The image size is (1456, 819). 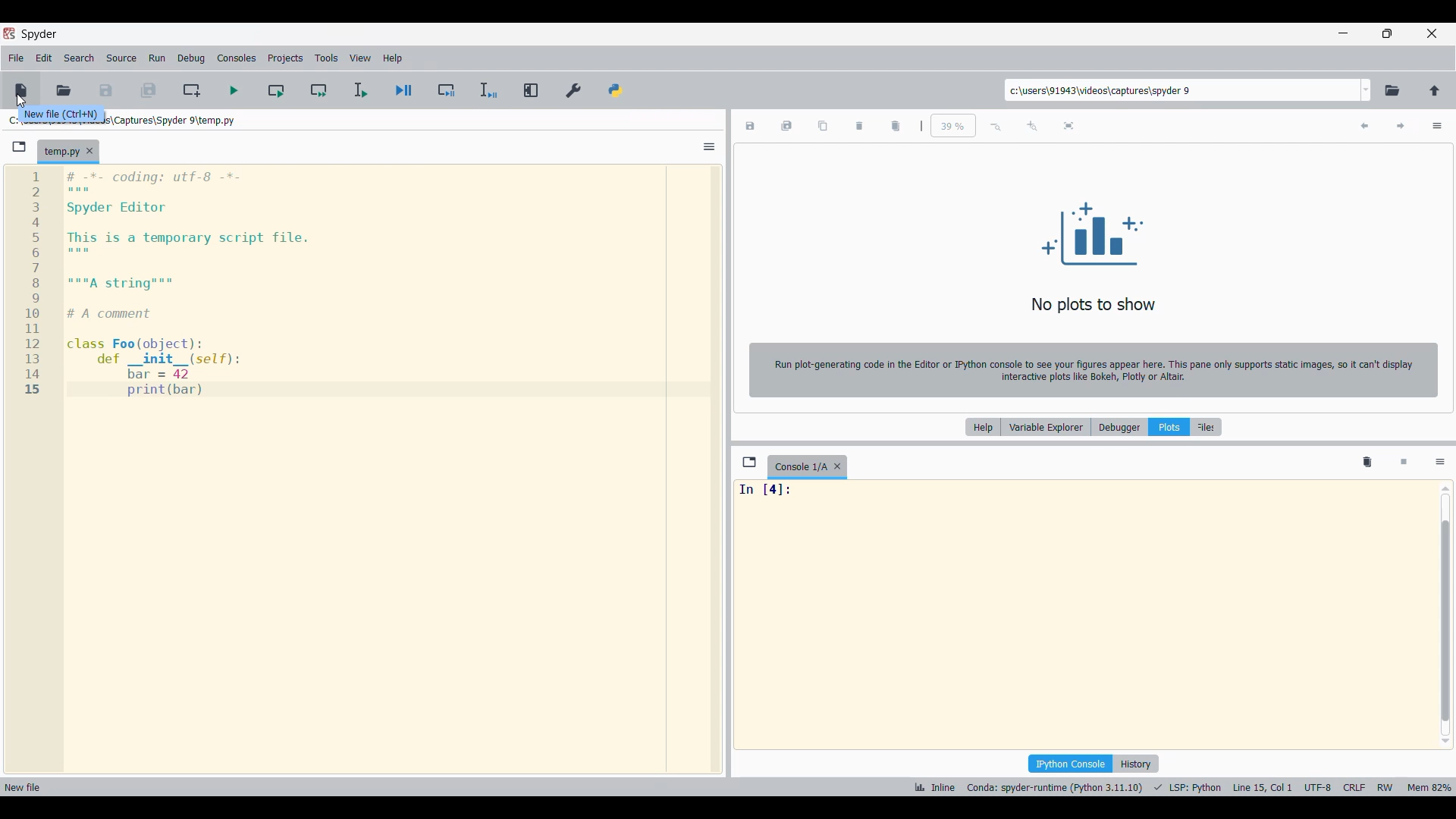 I want to click on Browse a working directory, so click(x=1393, y=92).